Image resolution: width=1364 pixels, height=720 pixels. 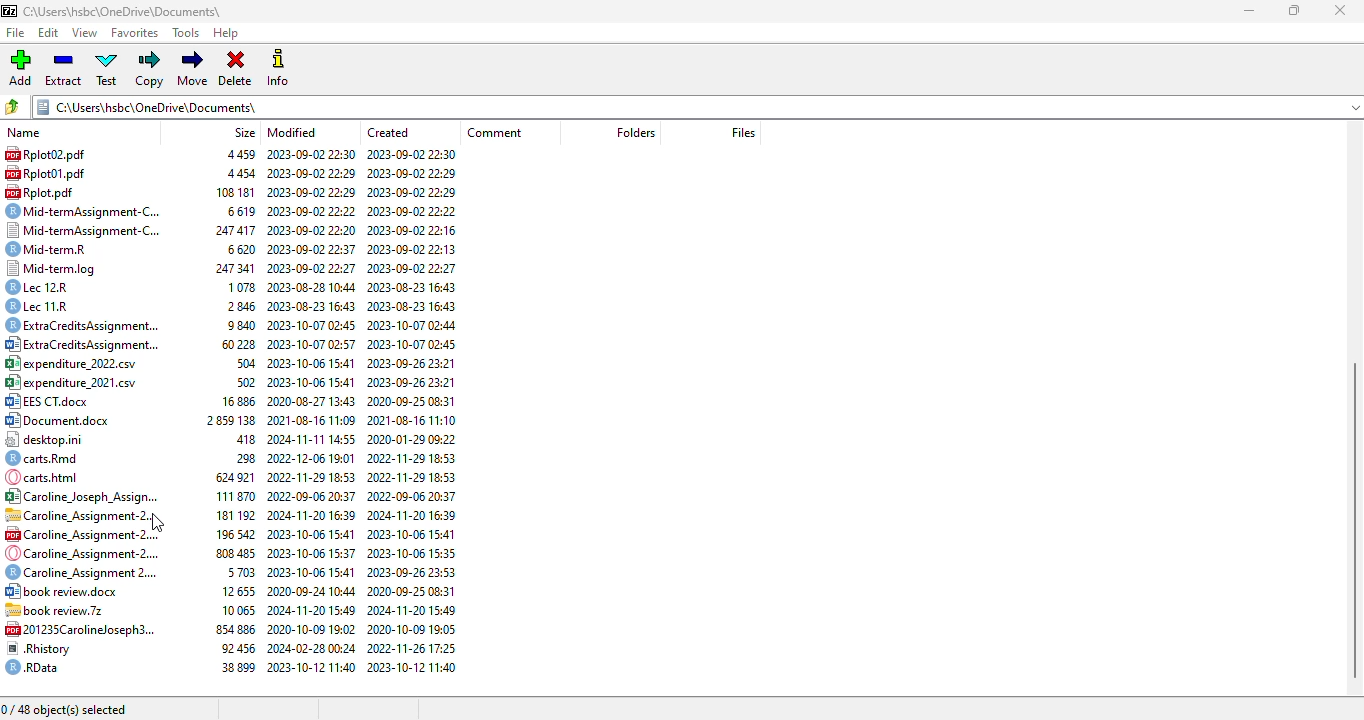 I want to click on 2023-09-02 22:27, so click(x=415, y=268).